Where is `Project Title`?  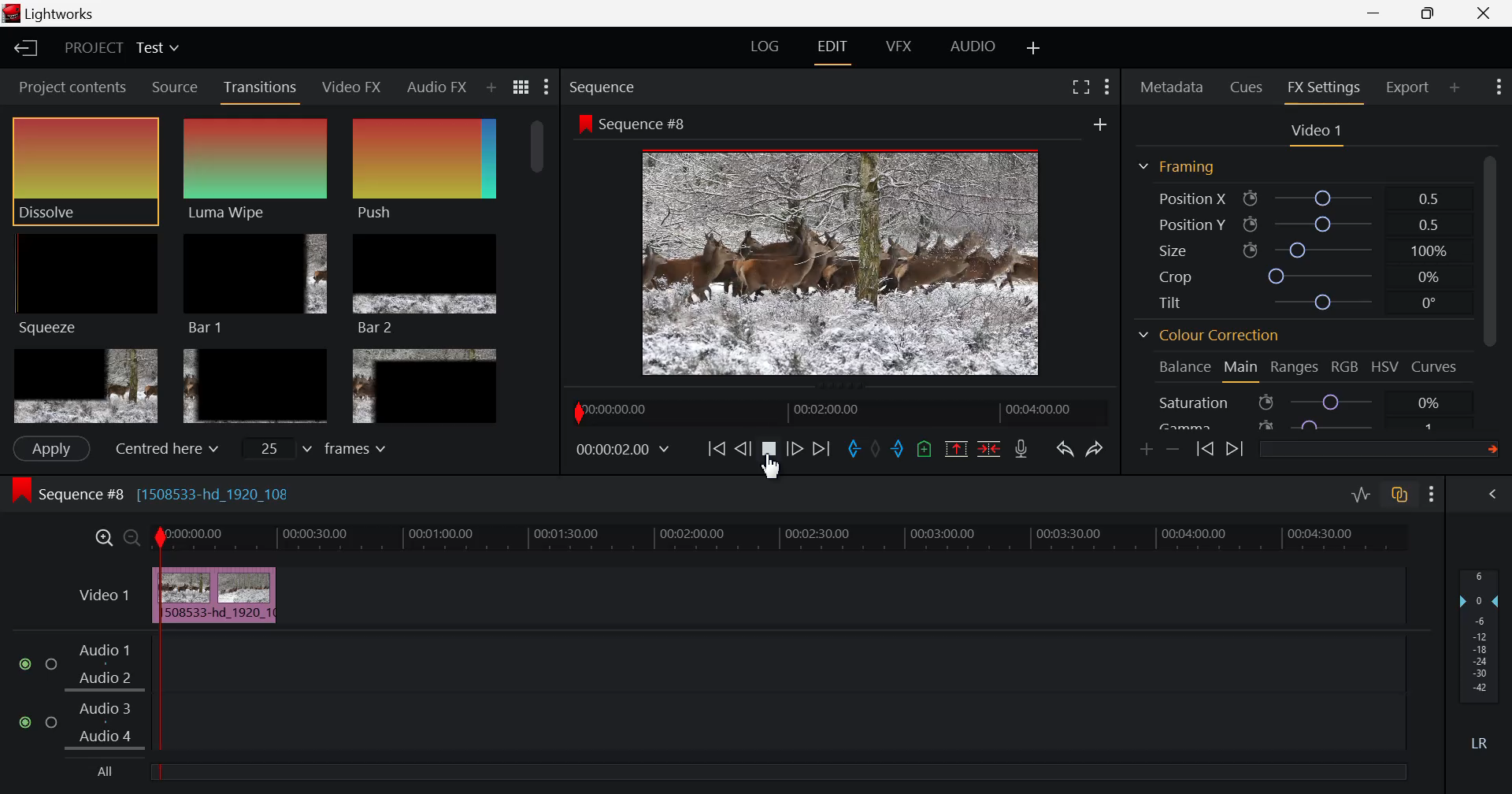 Project Title is located at coordinates (121, 50).